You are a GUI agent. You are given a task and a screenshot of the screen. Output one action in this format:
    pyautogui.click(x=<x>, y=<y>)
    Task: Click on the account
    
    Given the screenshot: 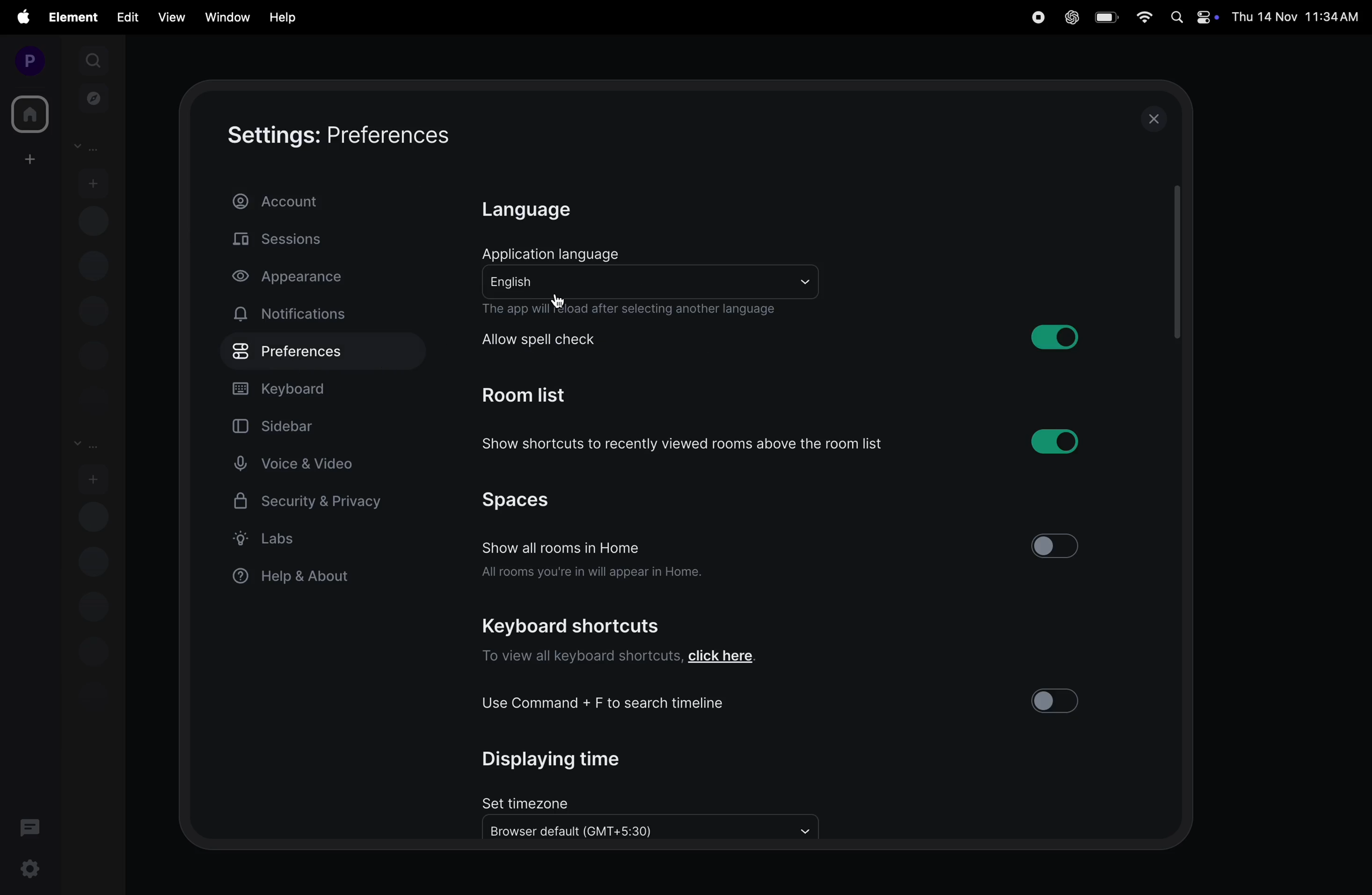 What is the action you would take?
    pyautogui.click(x=328, y=201)
    